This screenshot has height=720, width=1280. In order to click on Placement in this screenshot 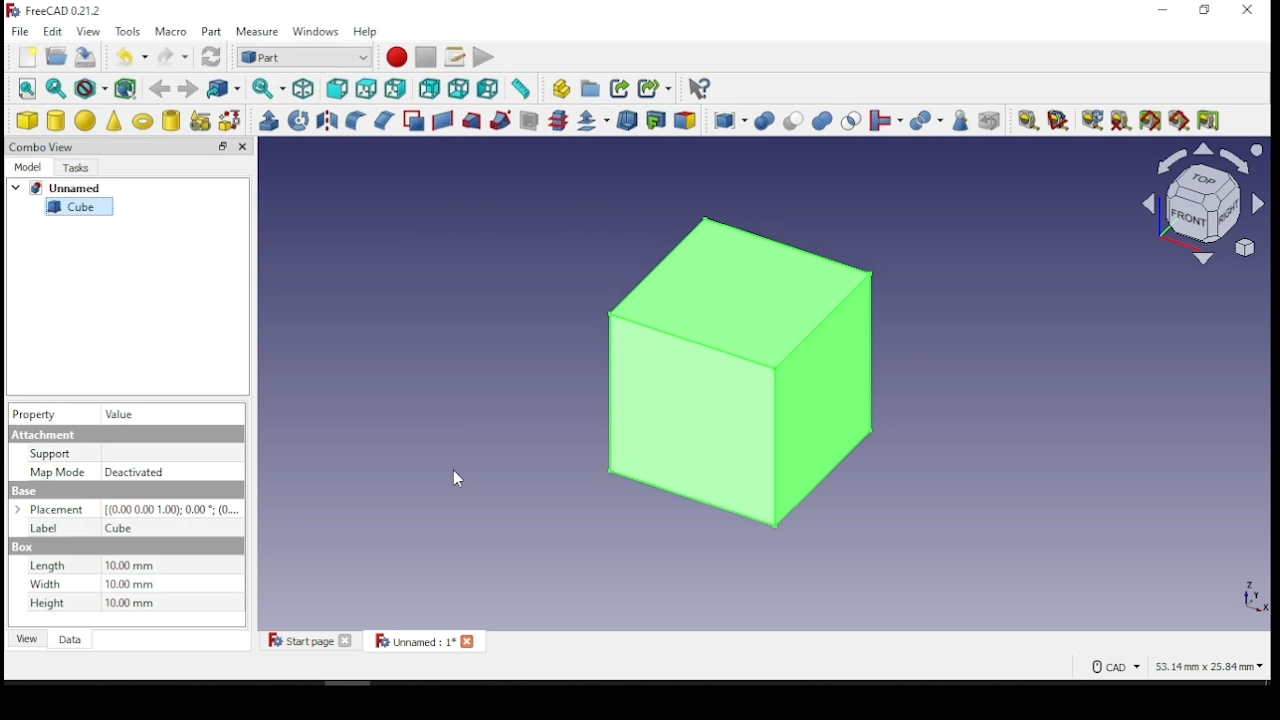, I will do `click(54, 510)`.